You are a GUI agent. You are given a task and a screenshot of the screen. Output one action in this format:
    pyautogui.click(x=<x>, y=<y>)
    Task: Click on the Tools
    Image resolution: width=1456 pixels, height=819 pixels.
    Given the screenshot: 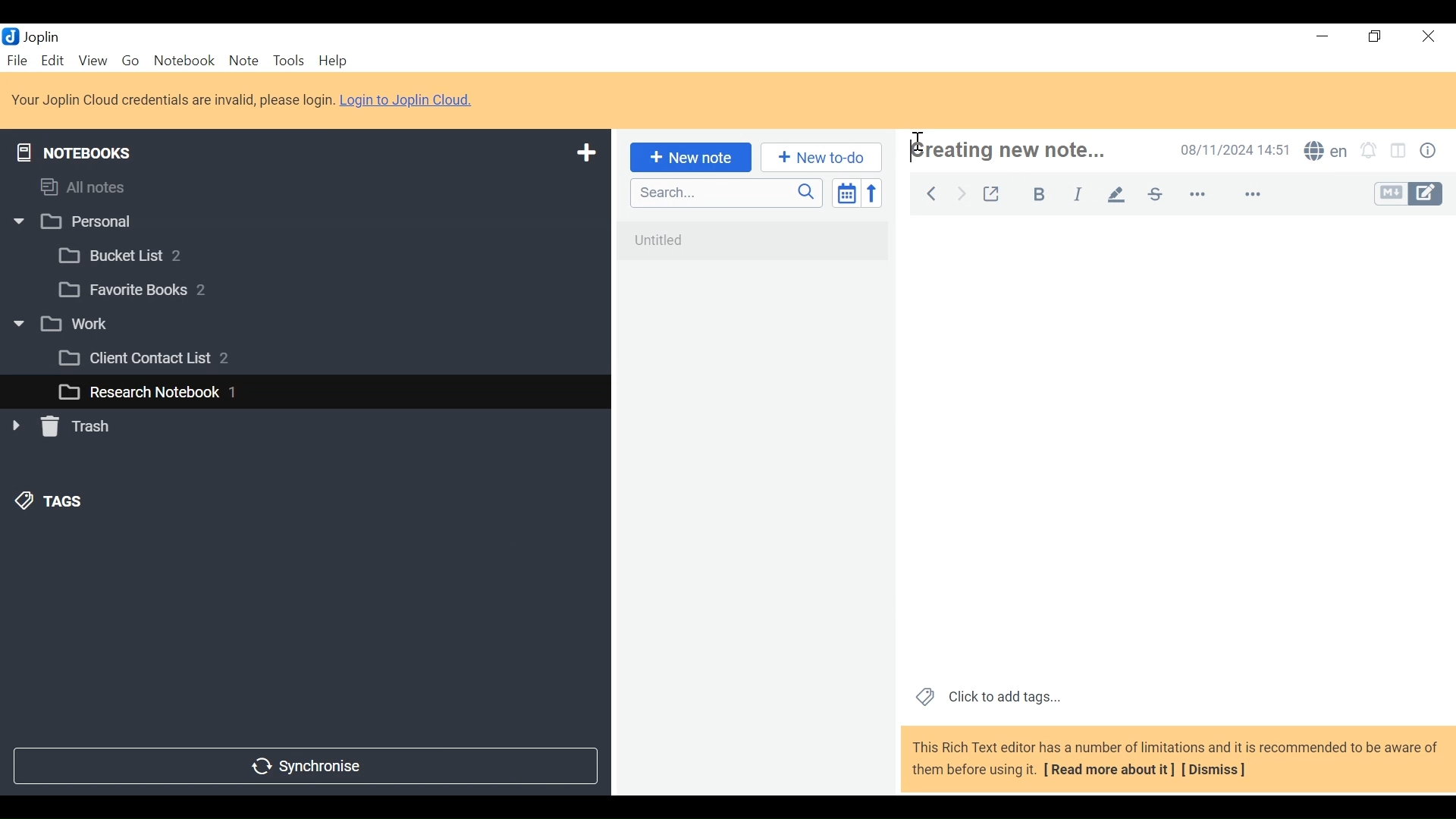 What is the action you would take?
    pyautogui.click(x=287, y=61)
    